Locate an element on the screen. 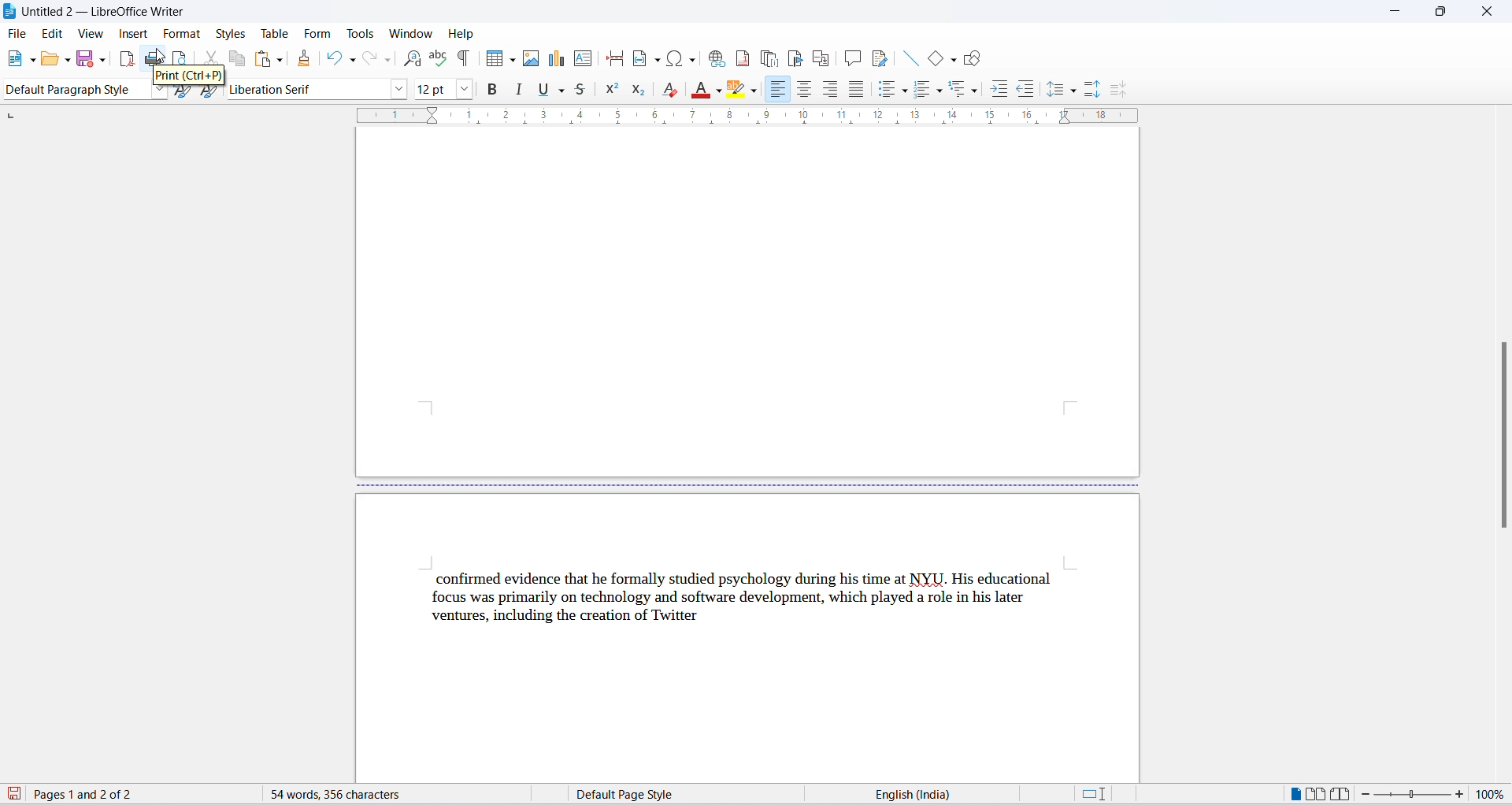 This screenshot has width=1512, height=805. text align right is located at coordinates (827, 88).